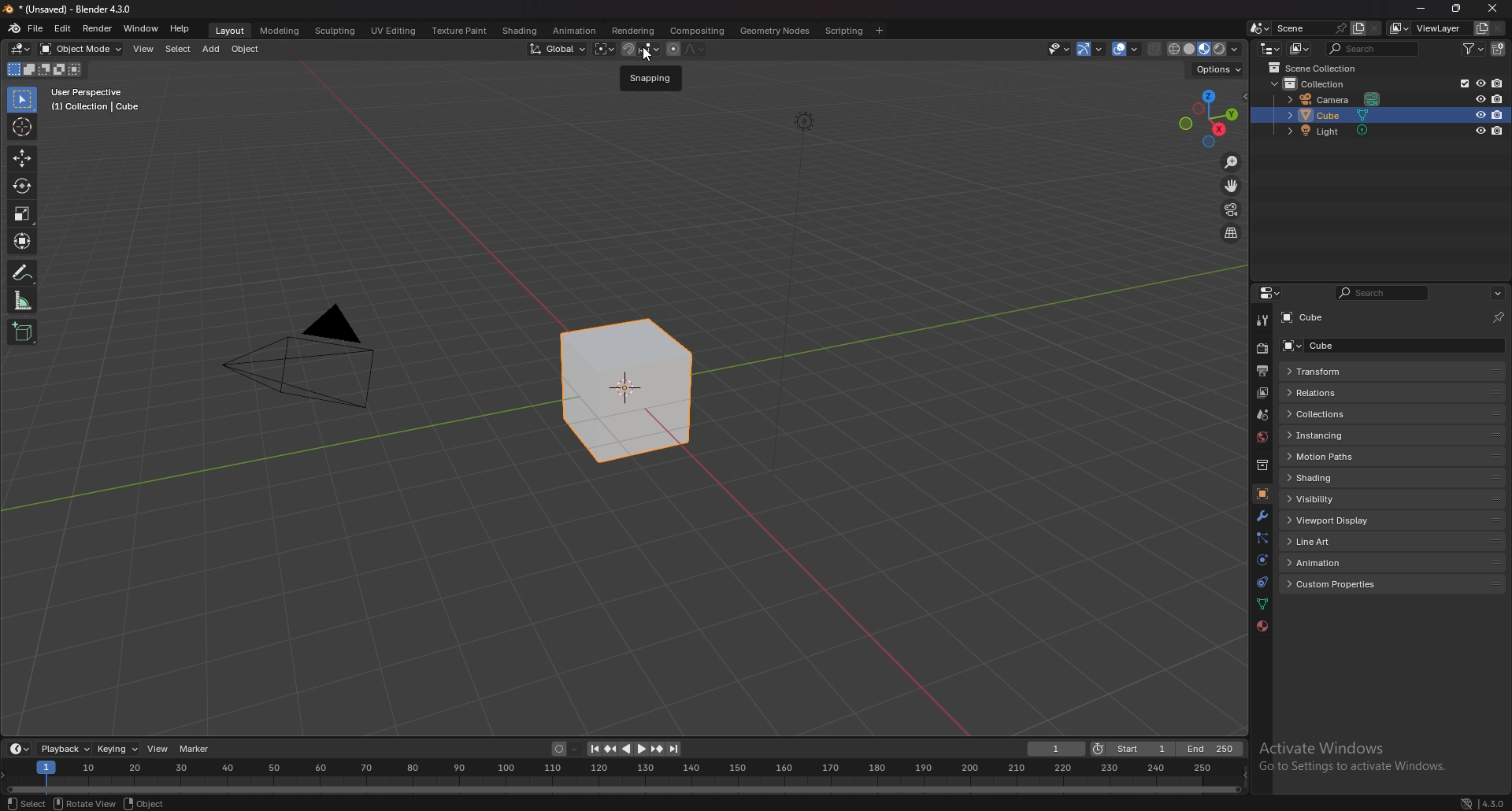  What do you see at coordinates (22, 99) in the screenshot?
I see `selector` at bounding box center [22, 99].